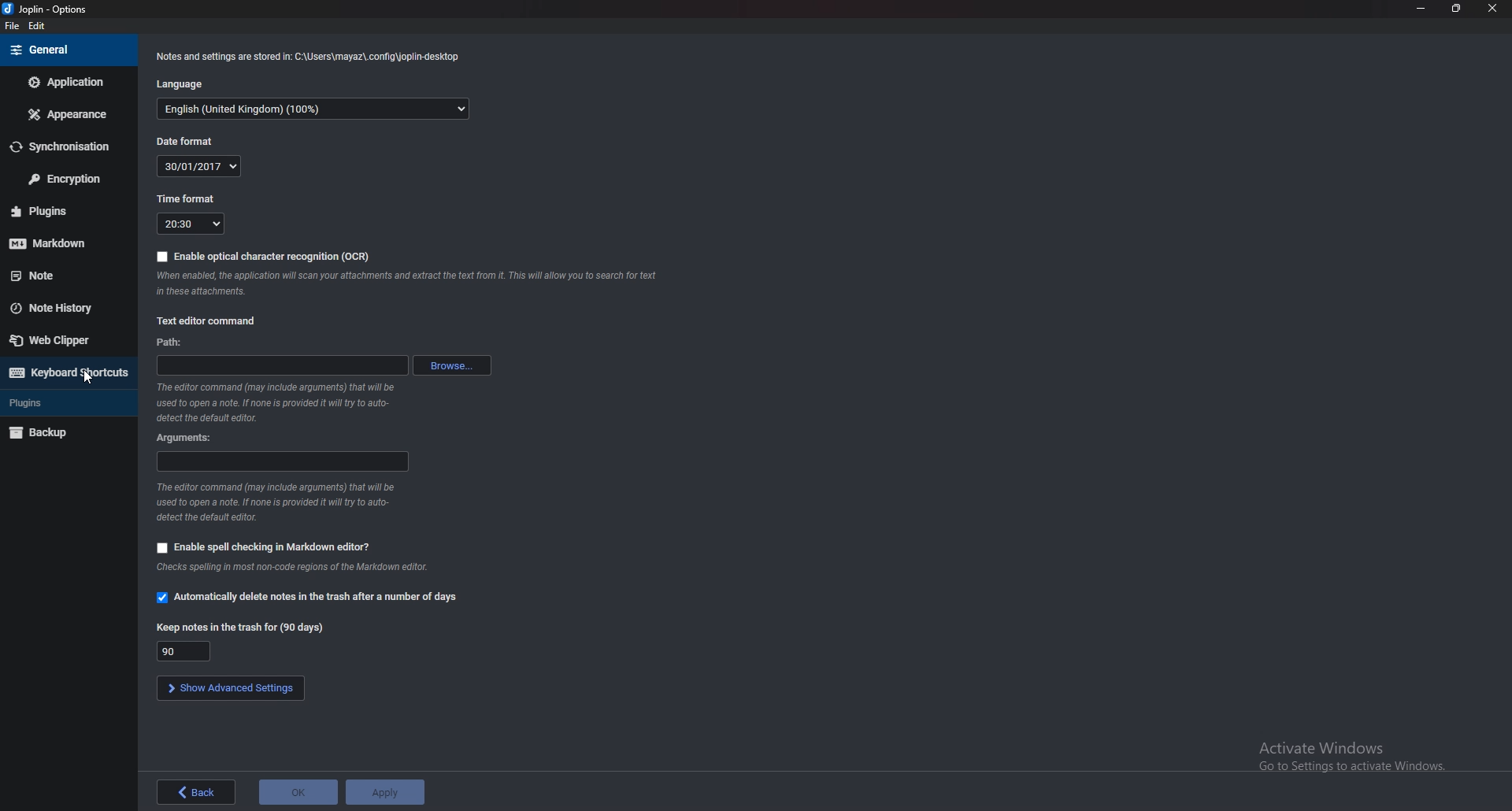 This screenshot has width=1512, height=811. What do you see at coordinates (266, 254) in the screenshot?
I see `Enable O C R` at bounding box center [266, 254].